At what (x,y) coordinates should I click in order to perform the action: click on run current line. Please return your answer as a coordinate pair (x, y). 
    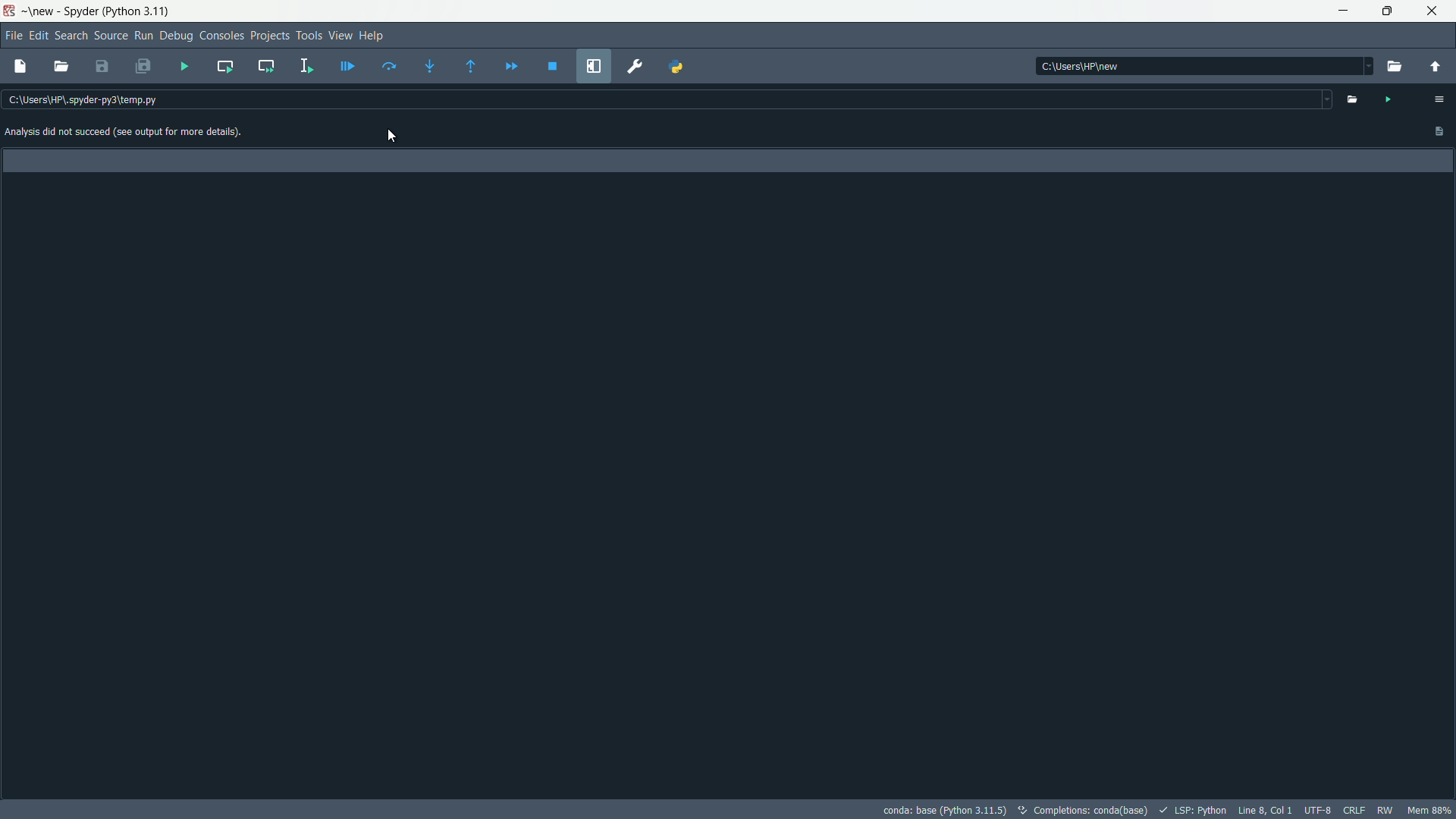
    Looking at the image, I should click on (389, 65).